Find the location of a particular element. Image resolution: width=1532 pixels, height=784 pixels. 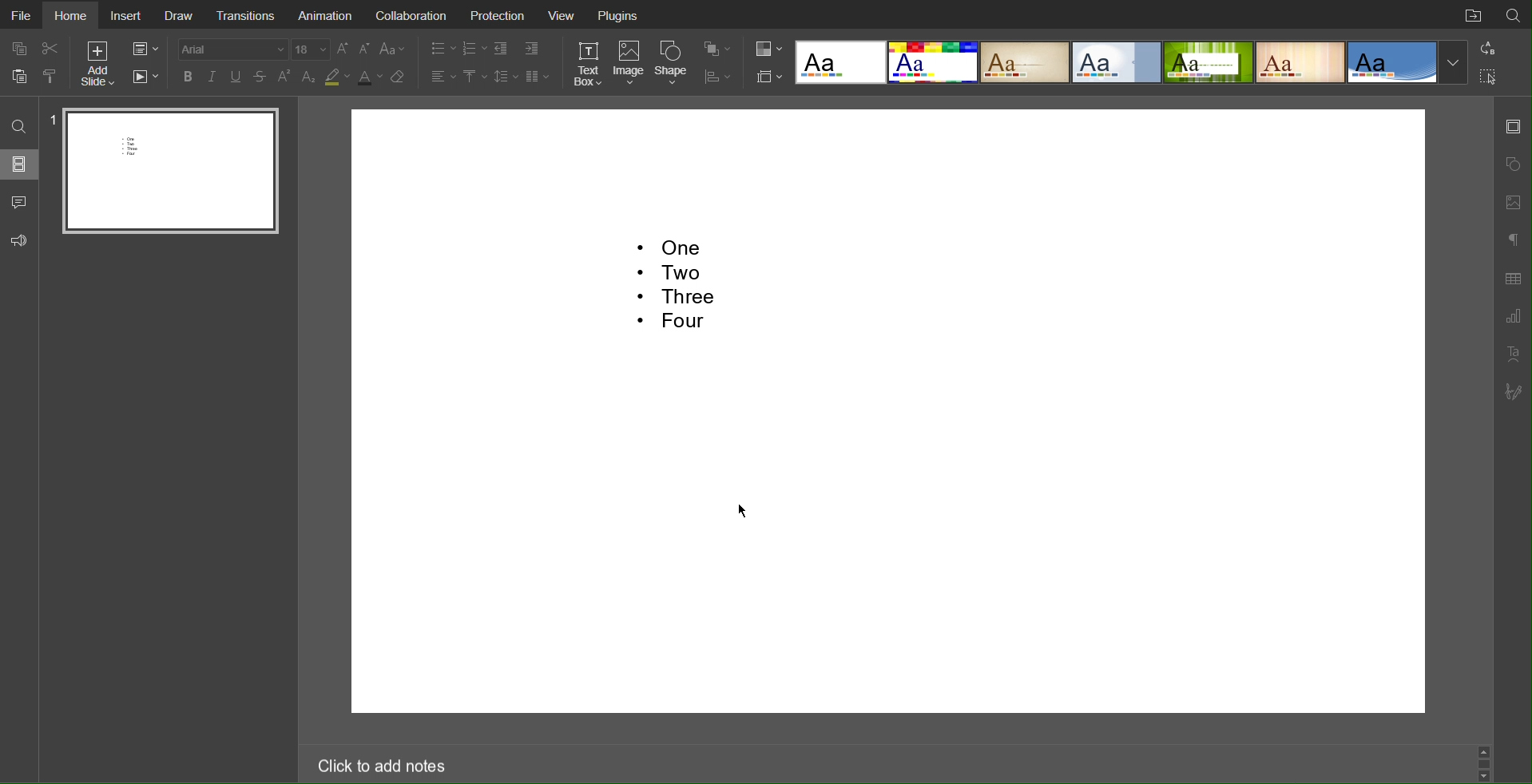

Vertical Alignment is located at coordinates (473, 76).